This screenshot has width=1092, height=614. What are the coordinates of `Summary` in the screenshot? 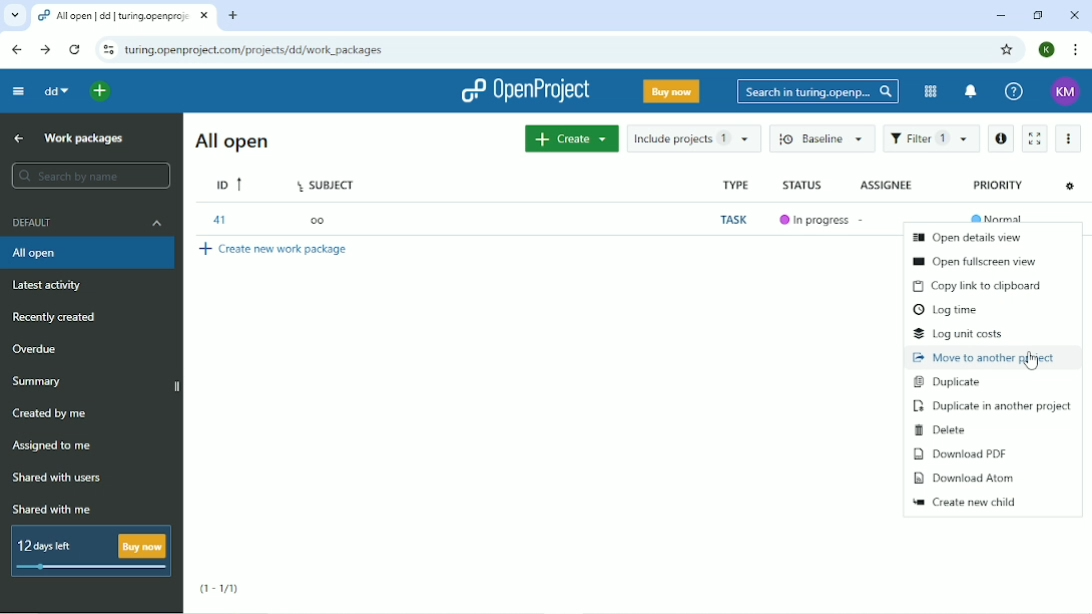 It's located at (40, 381).